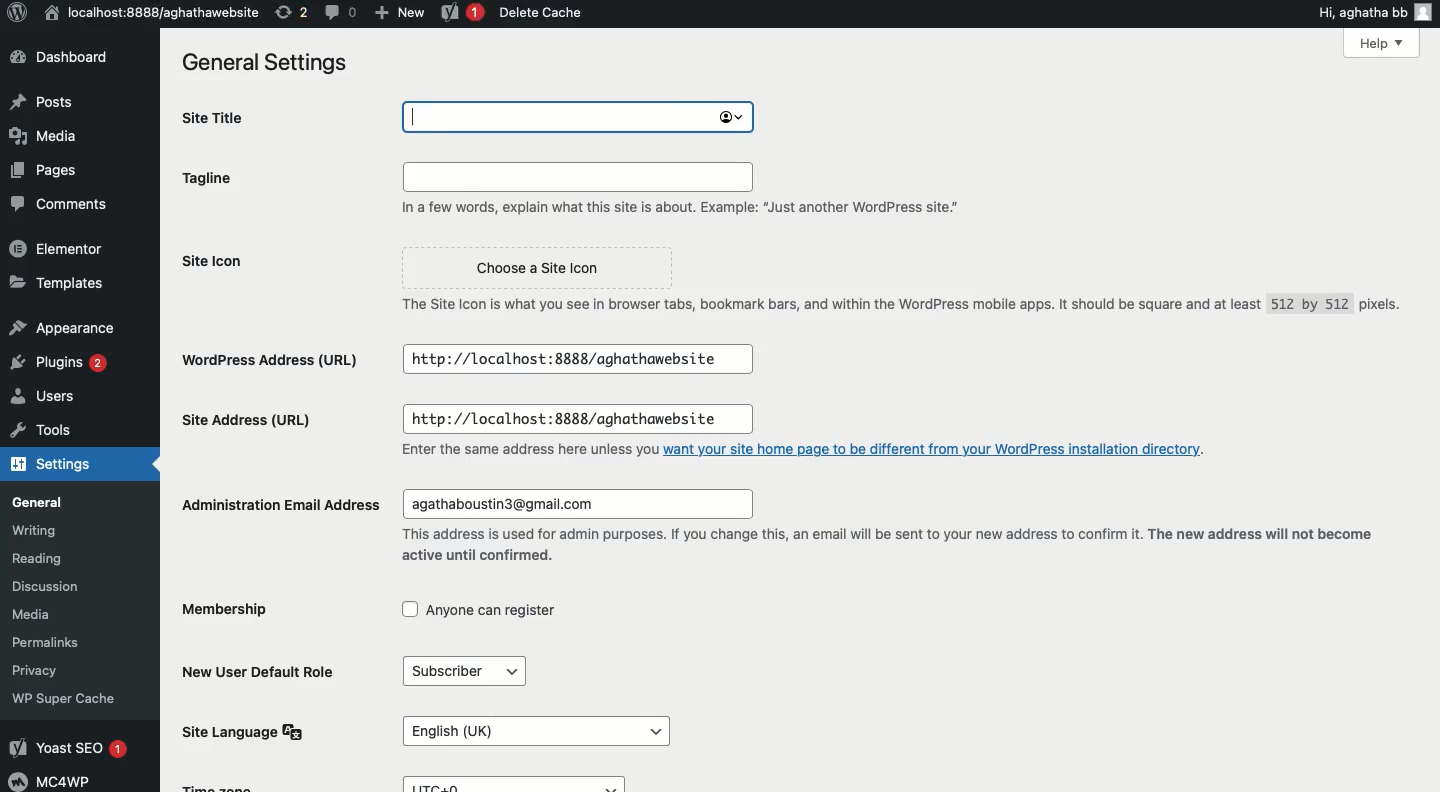  I want to click on Comments, so click(55, 205).